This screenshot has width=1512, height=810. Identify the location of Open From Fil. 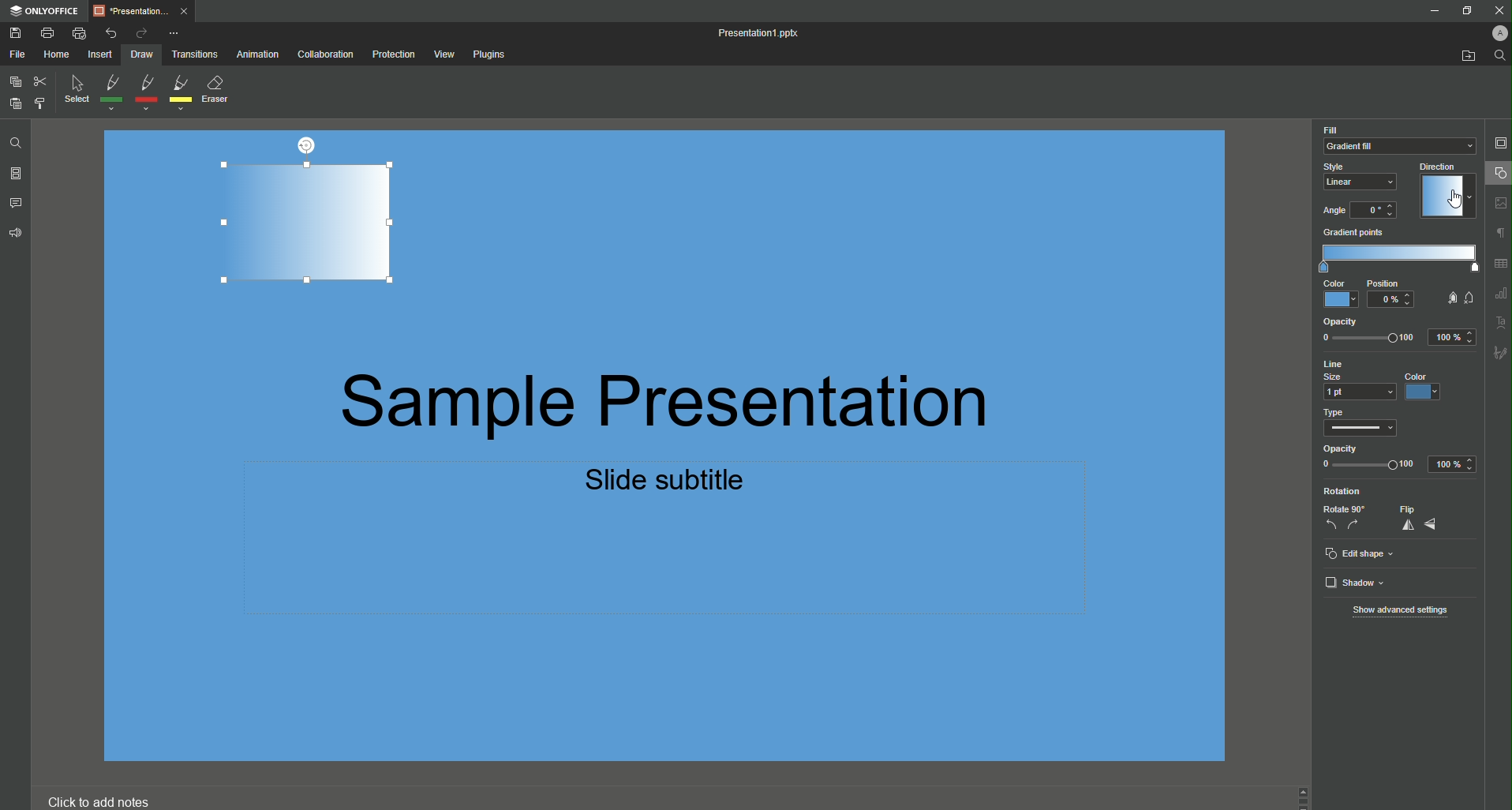
(1470, 58).